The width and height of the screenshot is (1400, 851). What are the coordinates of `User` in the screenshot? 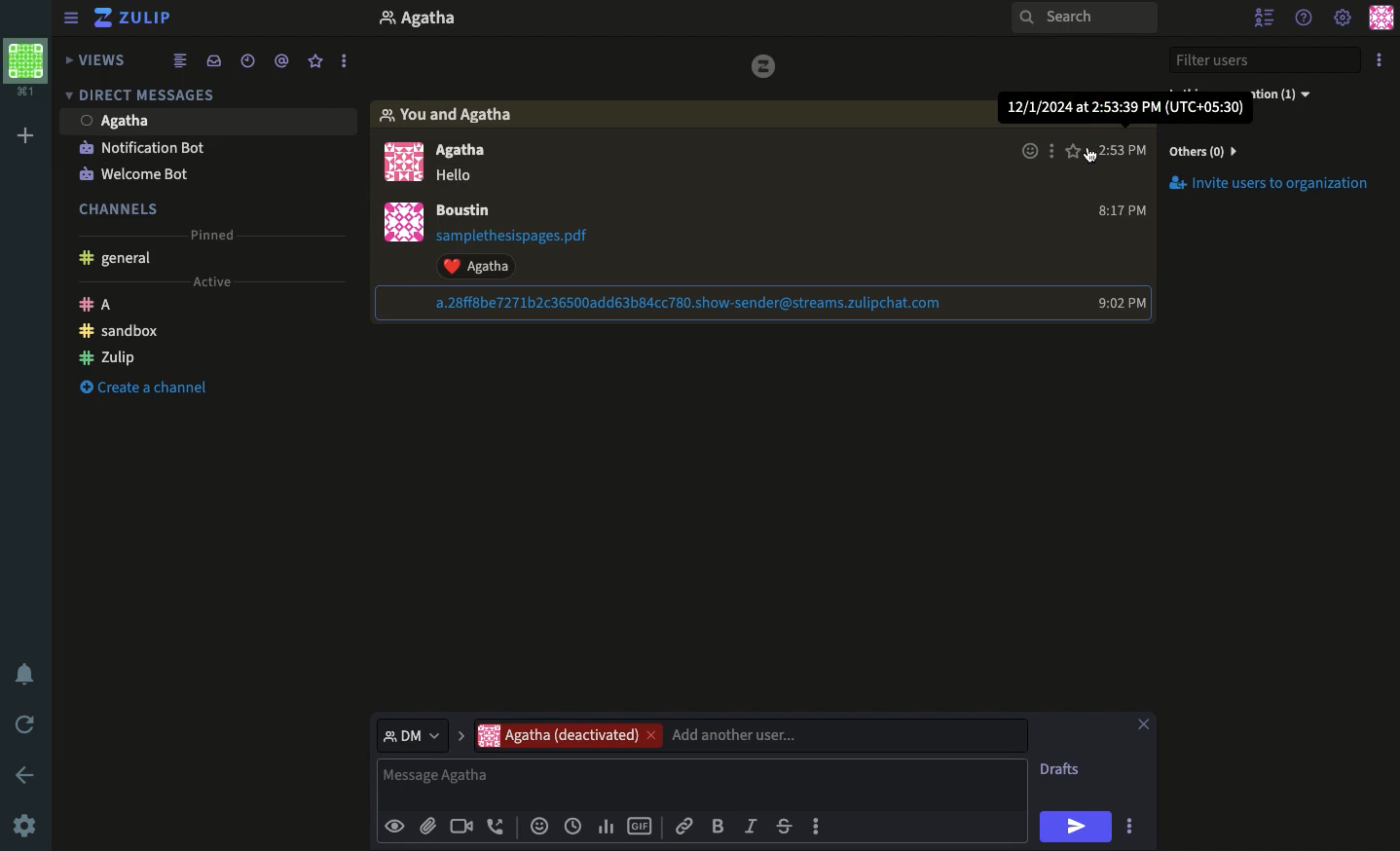 It's located at (467, 209).